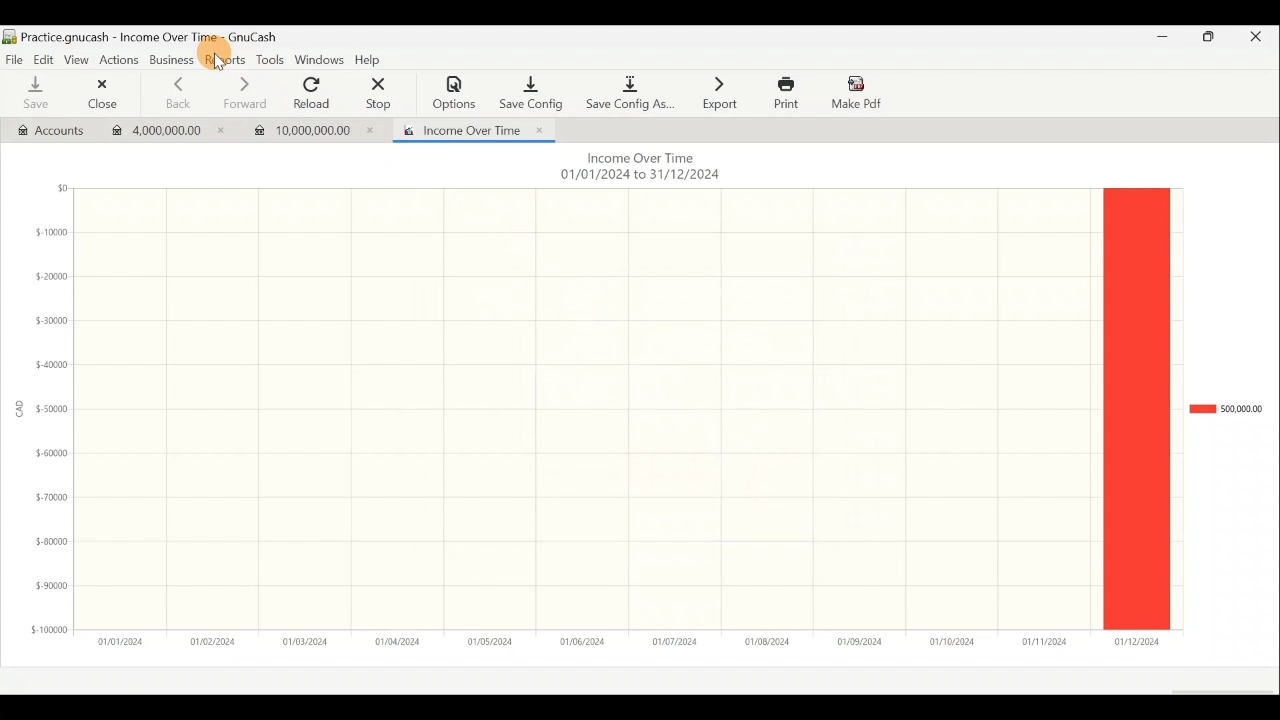 This screenshot has height=720, width=1280. I want to click on Document name, so click(150, 37).